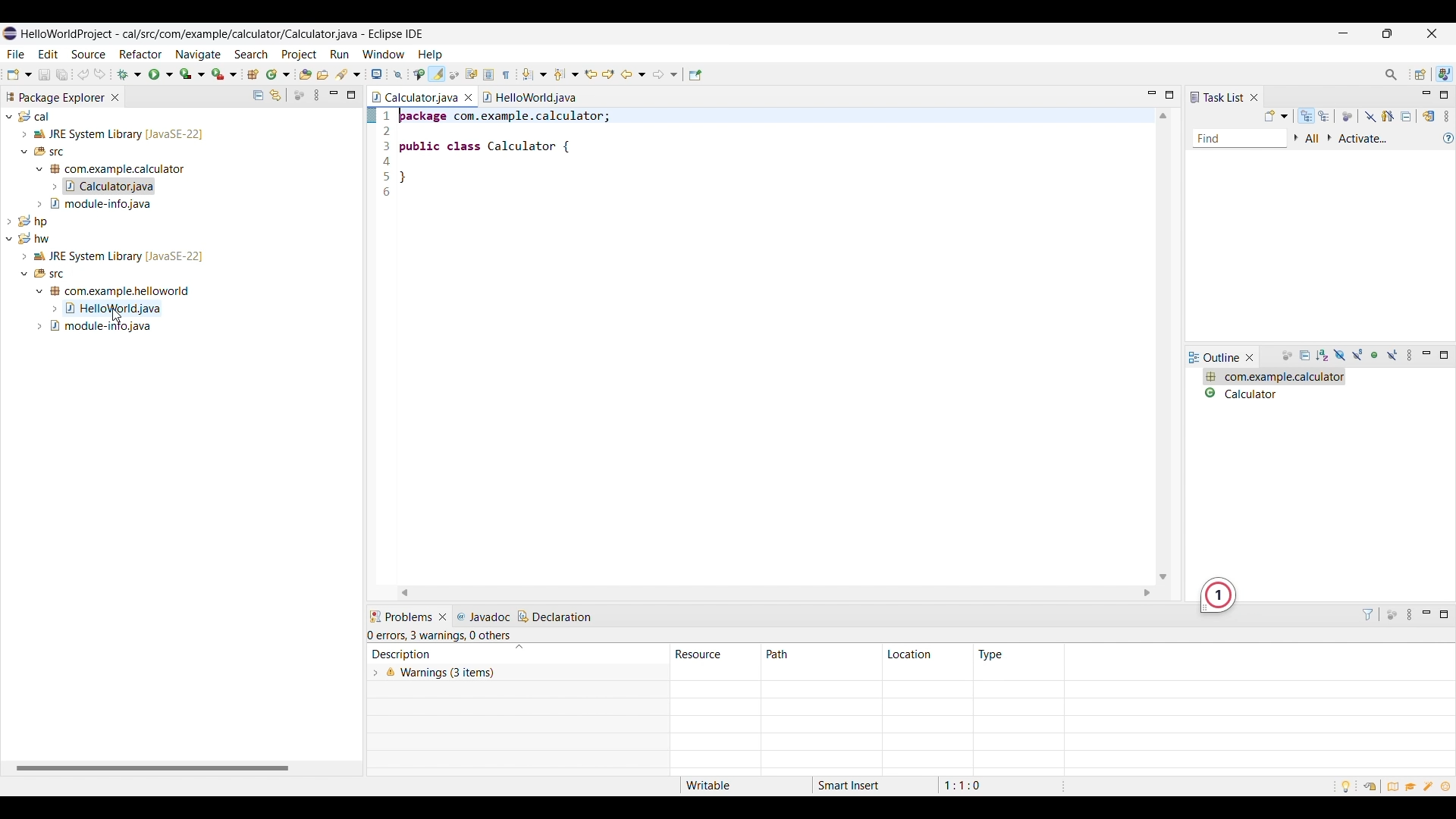 The width and height of the screenshot is (1456, 819). Describe the element at coordinates (404, 593) in the screenshot. I see `Quick slide to left` at that location.